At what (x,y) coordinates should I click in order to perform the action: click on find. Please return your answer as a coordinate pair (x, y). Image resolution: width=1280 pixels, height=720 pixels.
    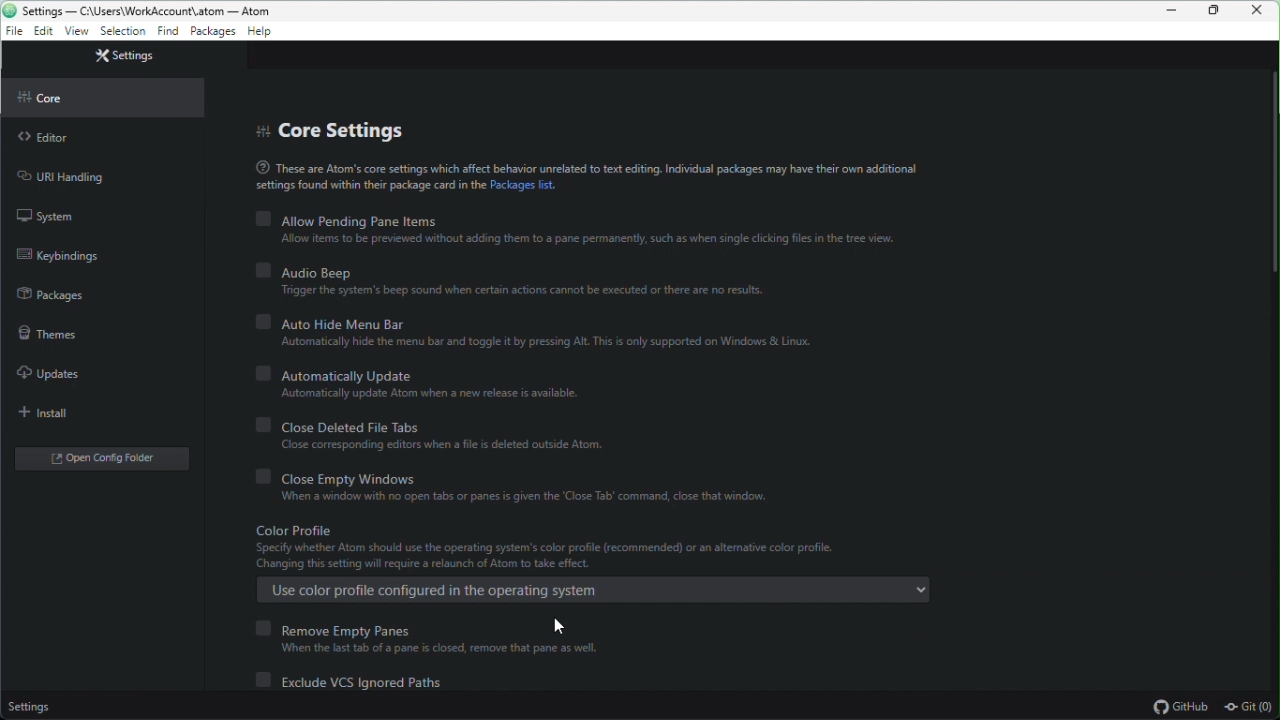
    Looking at the image, I should click on (166, 34).